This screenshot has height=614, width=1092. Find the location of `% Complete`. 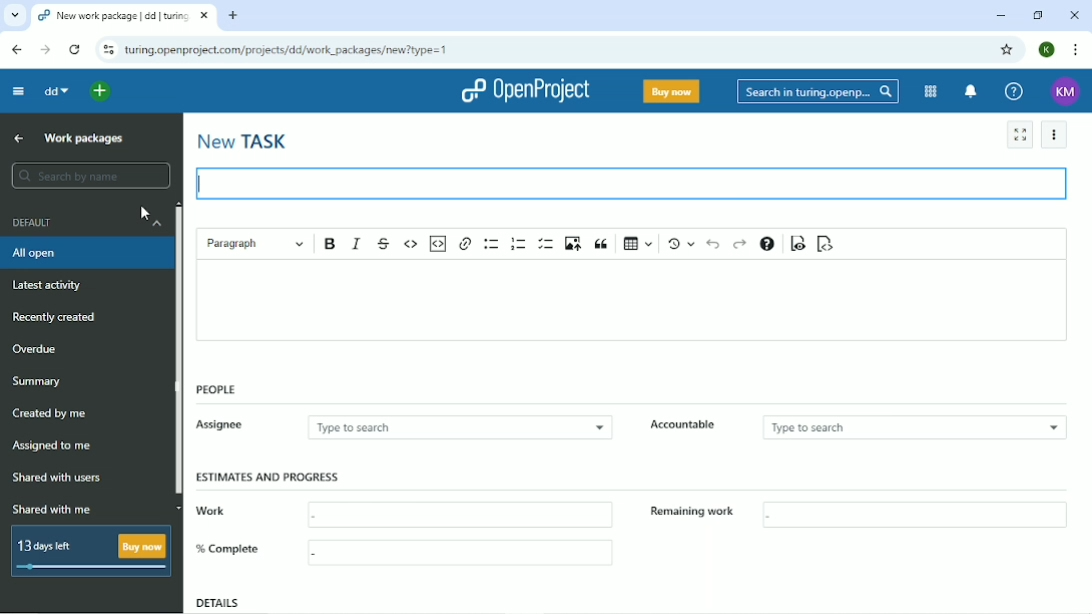

% Complete is located at coordinates (226, 553).